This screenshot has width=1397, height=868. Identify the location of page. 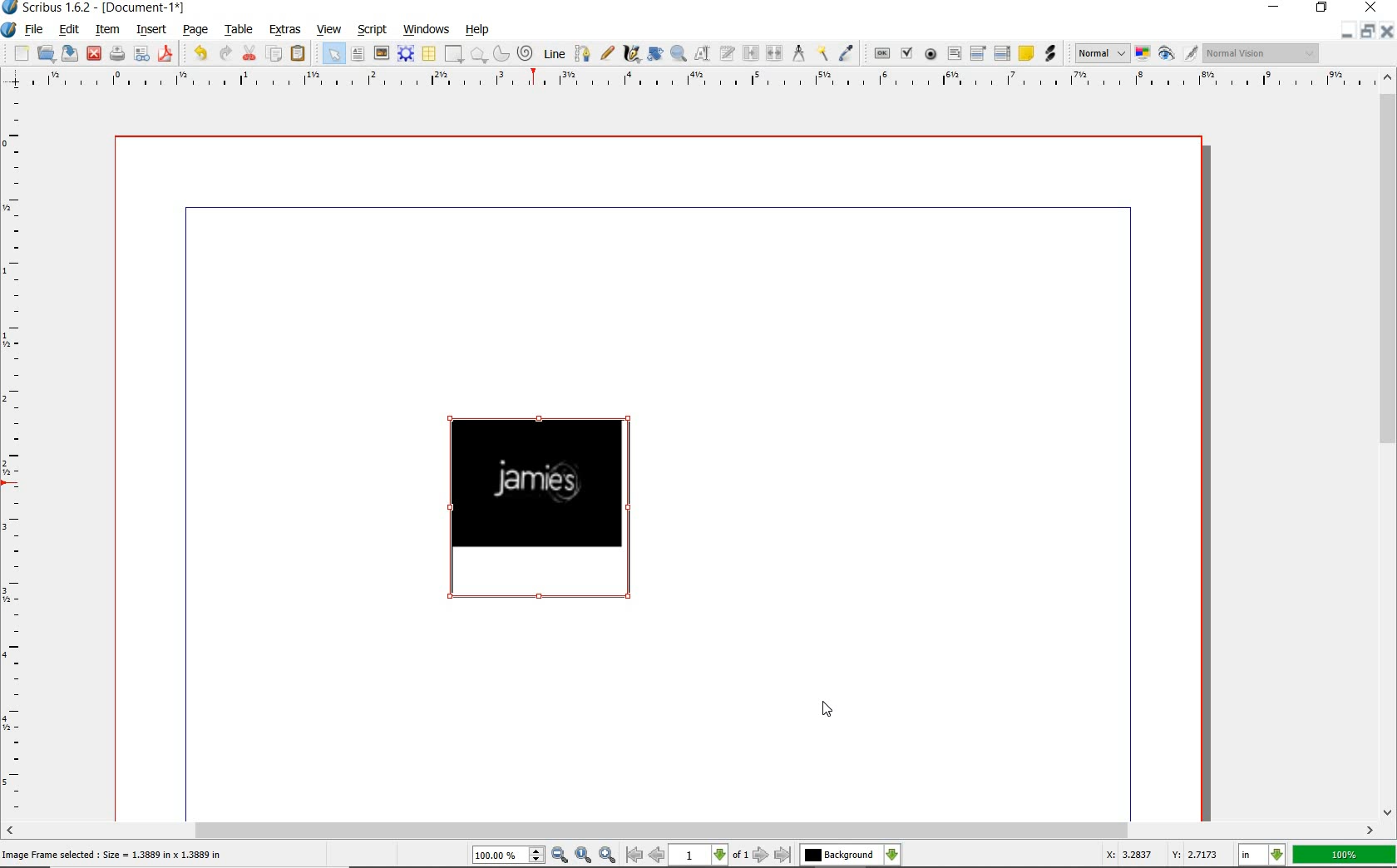
(195, 30).